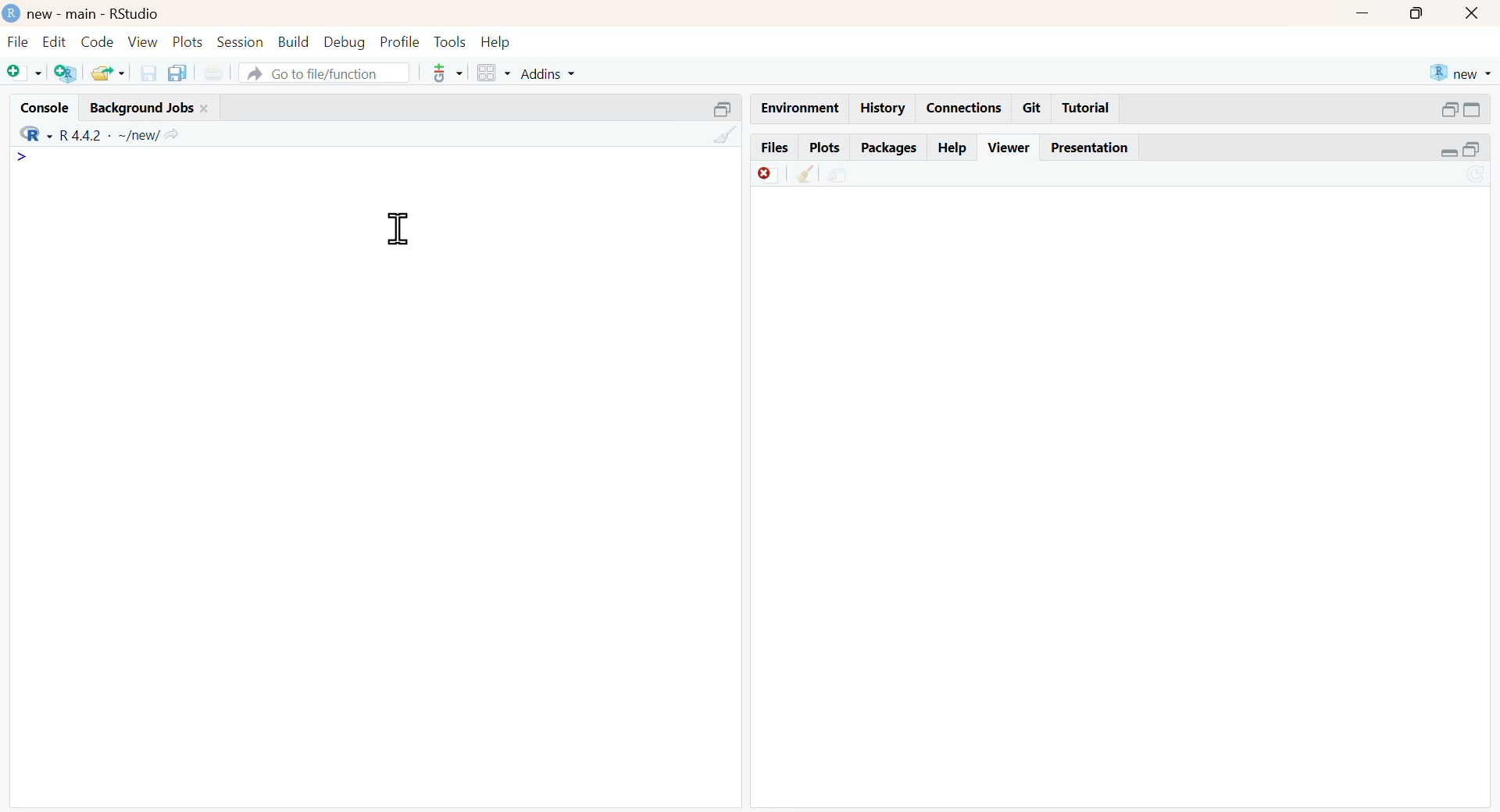 This screenshot has width=1500, height=812. Describe the element at coordinates (1009, 145) in the screenshot. I see `Viewer` at that location.